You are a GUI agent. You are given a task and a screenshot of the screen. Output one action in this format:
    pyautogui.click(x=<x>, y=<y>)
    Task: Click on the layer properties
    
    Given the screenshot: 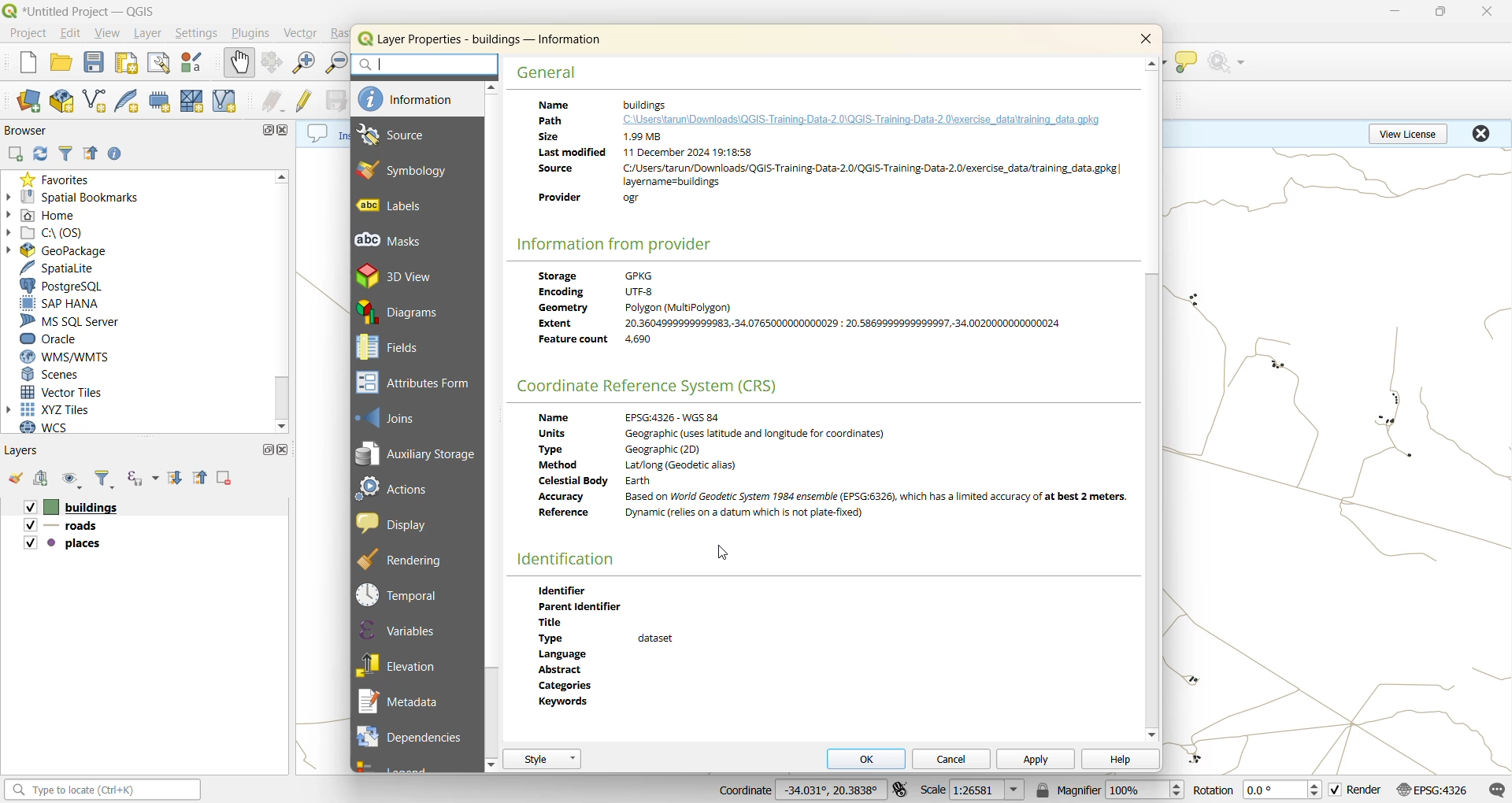 What is the action you would take?
    pyautogui.click(x=491, y=39)
    